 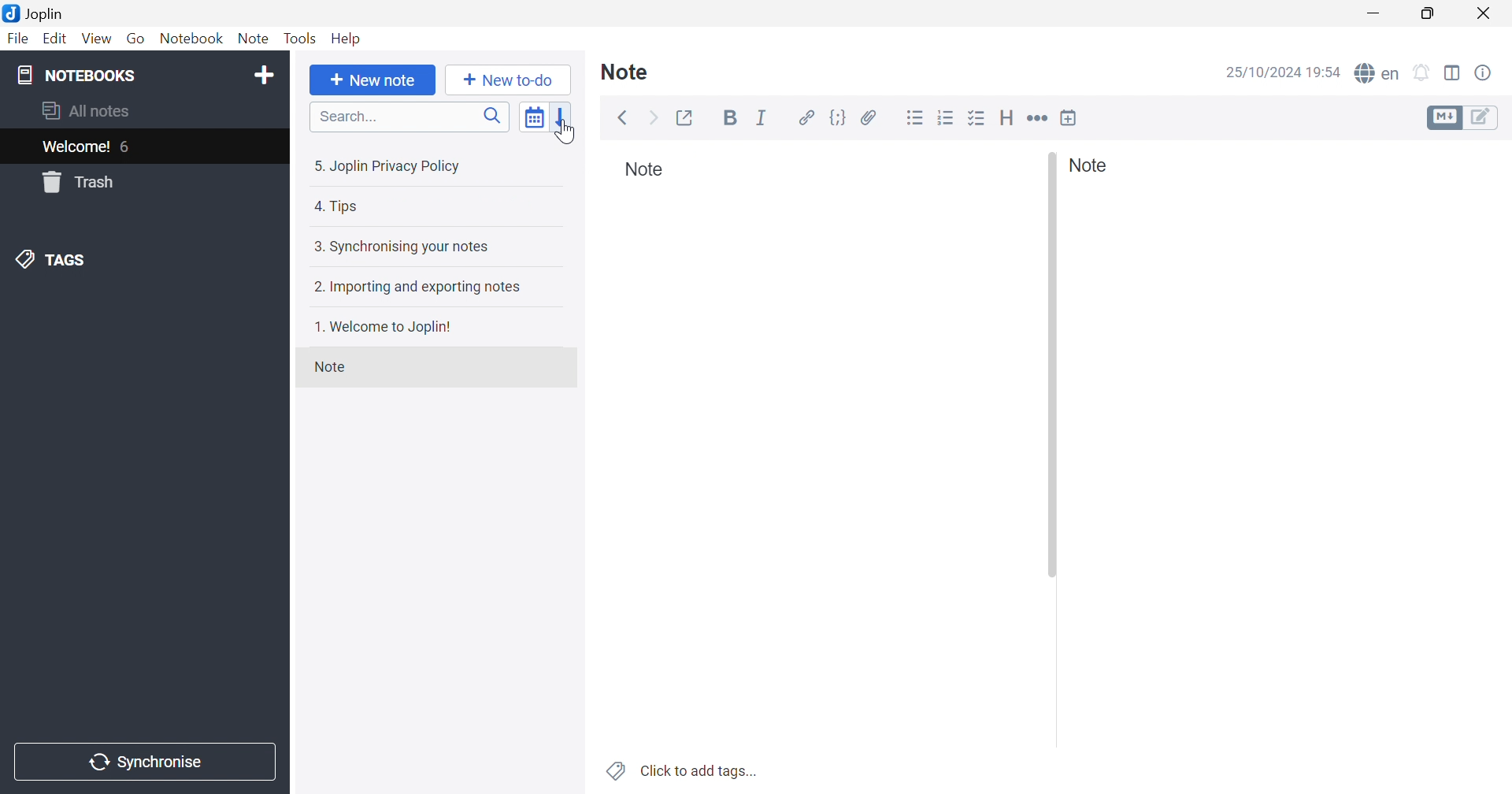 What do you see at coordinates (615, 770) in the screenshot?
I see `Tags` at bounding box center [615, 770].